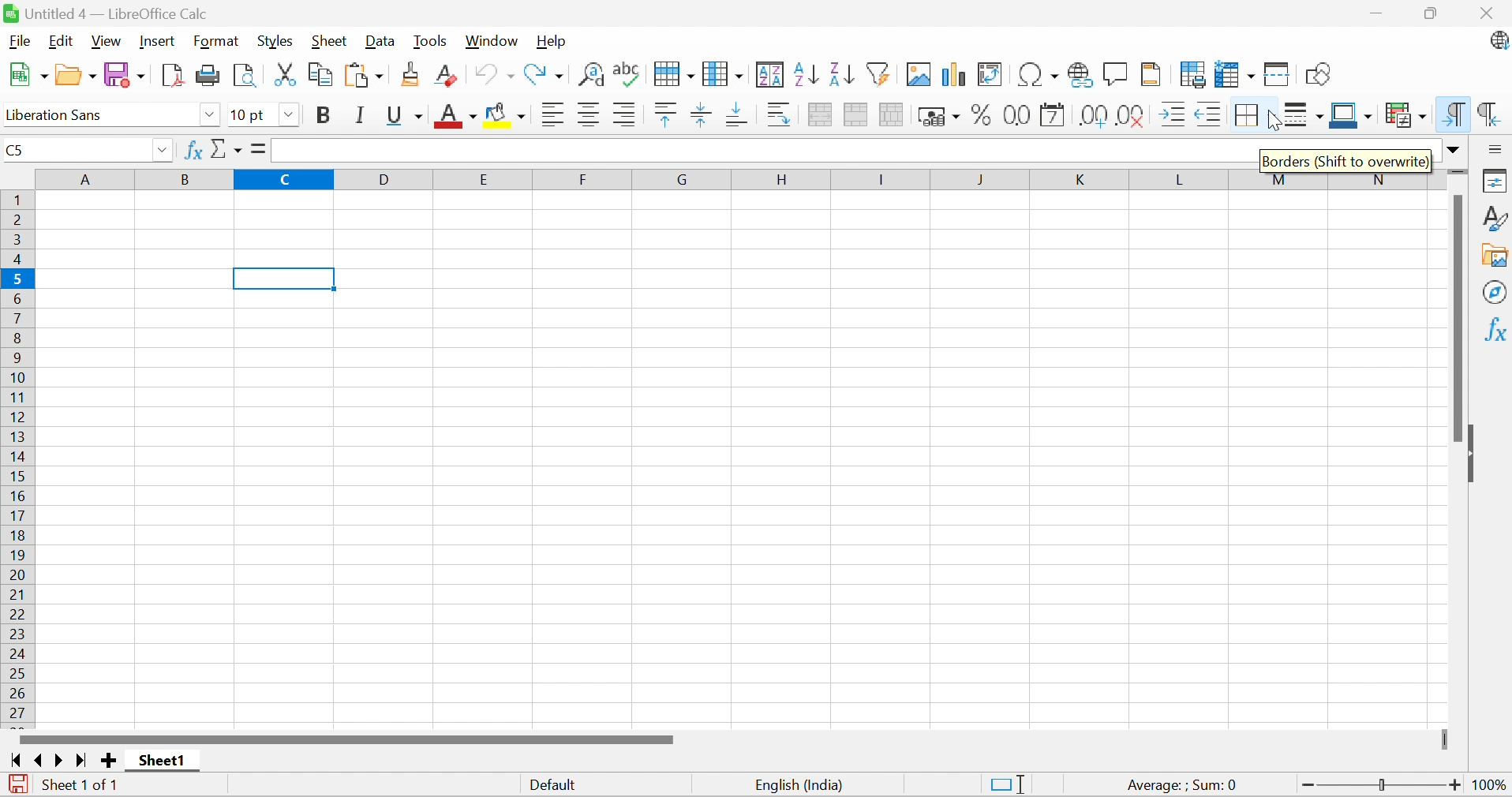  Describe the element at coordinates (321, 73) in the screenshot. I see `Copy` at that location.